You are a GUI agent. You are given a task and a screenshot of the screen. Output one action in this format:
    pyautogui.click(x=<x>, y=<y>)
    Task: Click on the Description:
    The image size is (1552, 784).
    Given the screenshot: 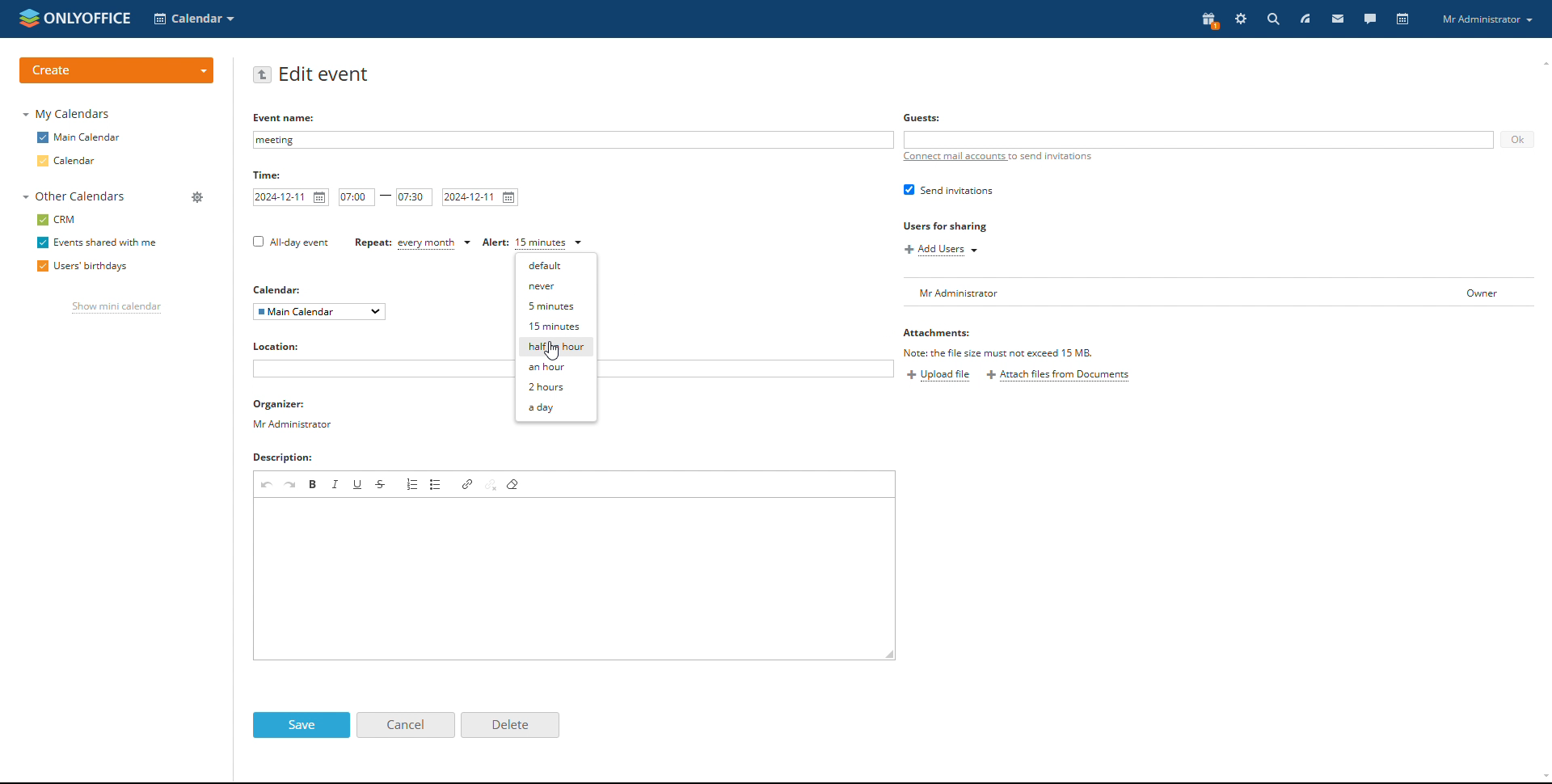 What is the action you would take?
    pyautogui.click(x=292, y=457)
    